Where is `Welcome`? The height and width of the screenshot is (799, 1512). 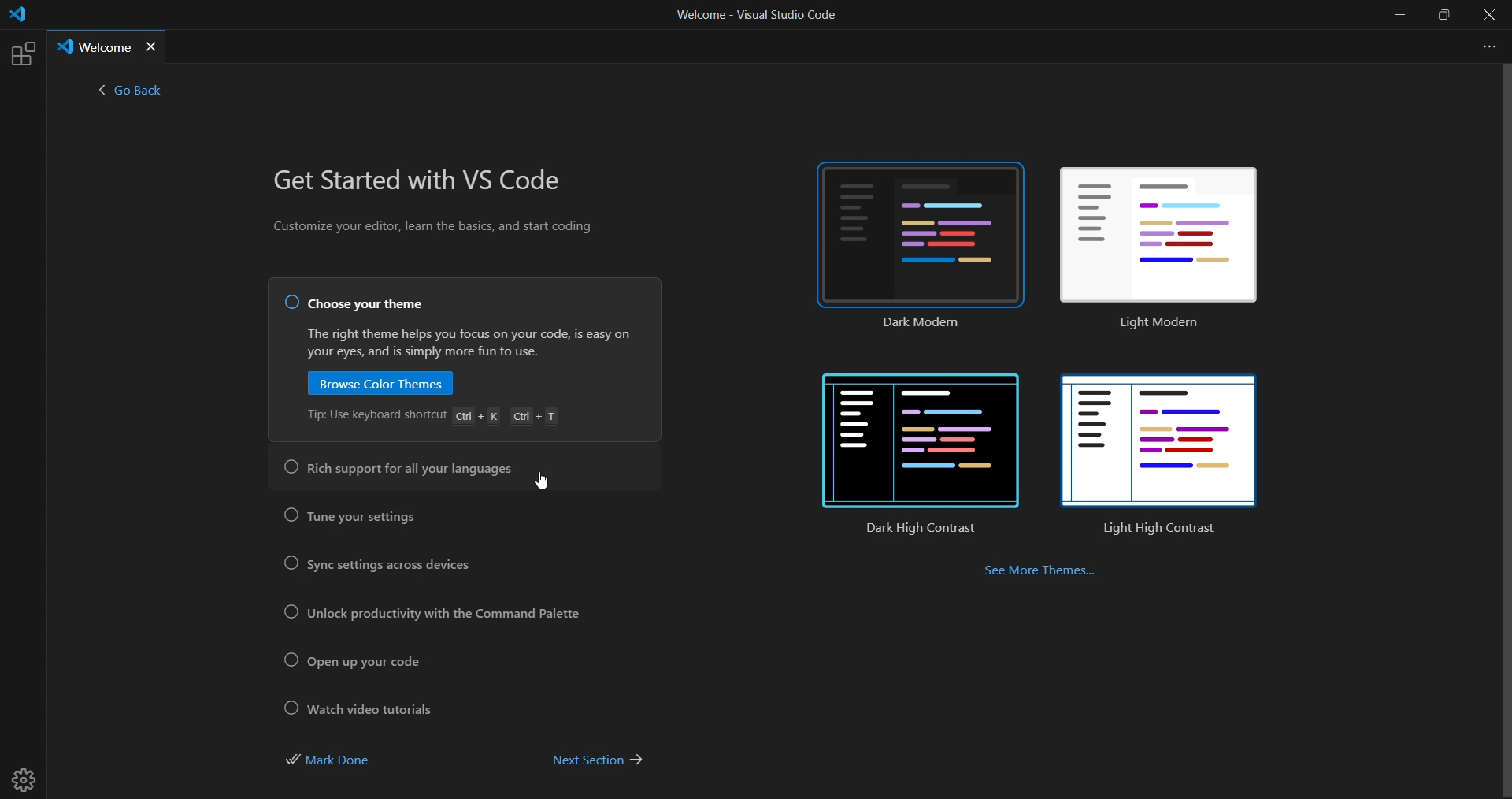 Welcome is located at coordinates (93, 46).